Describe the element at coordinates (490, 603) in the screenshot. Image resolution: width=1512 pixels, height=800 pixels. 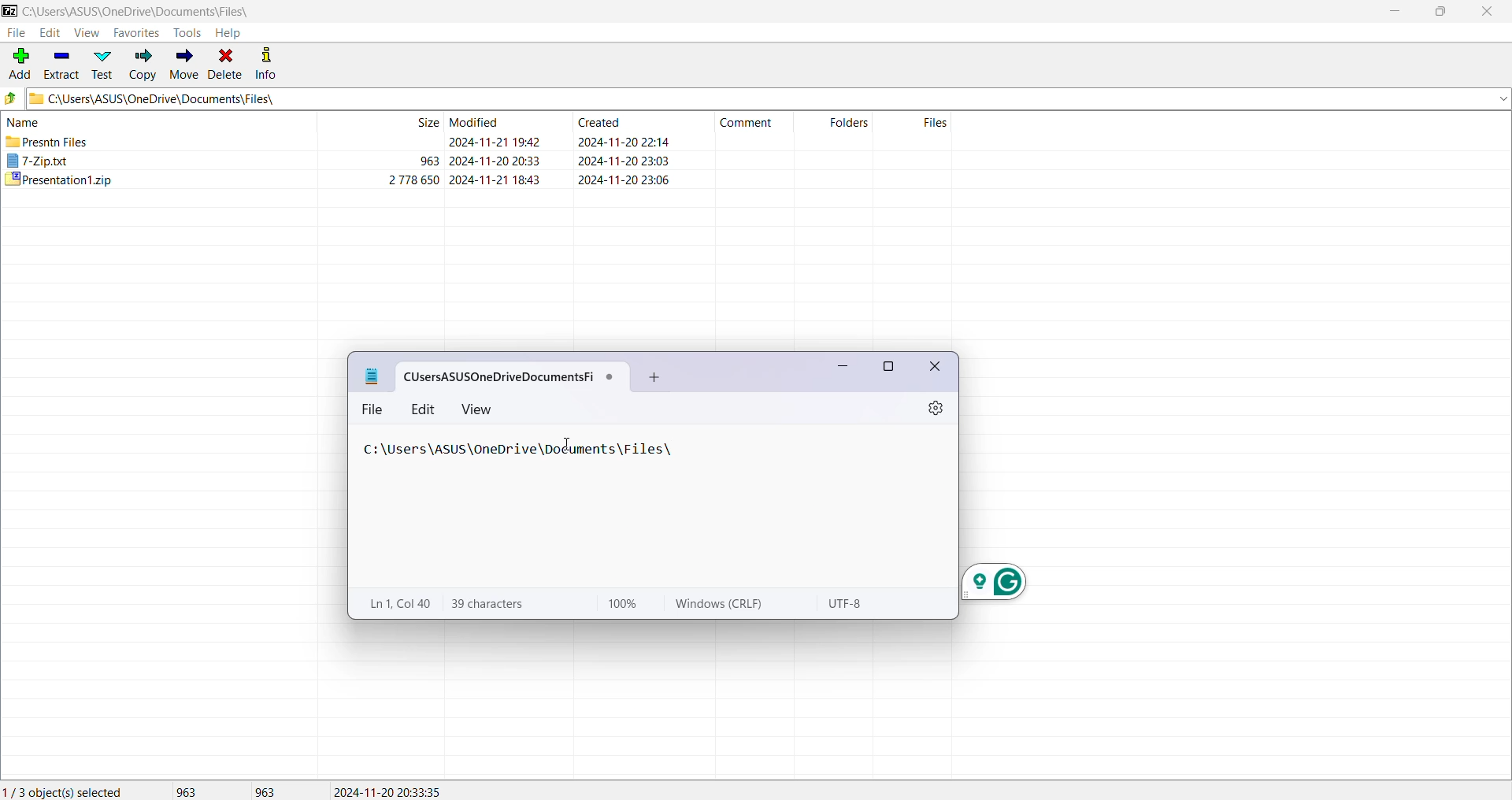
I see `39 characters` at that location.